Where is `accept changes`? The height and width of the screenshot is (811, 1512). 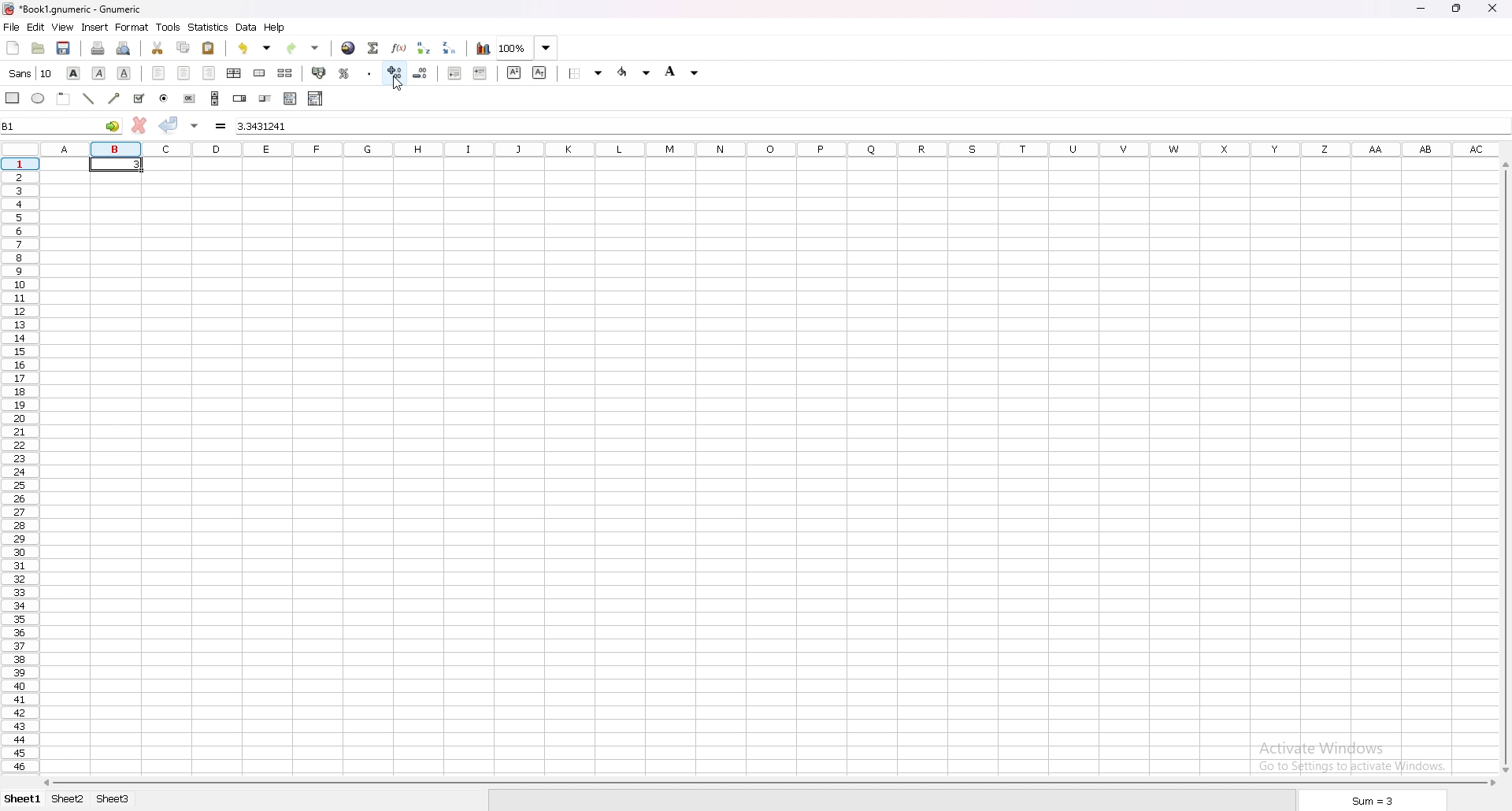
accept changes is located at coordinates (169, 126).